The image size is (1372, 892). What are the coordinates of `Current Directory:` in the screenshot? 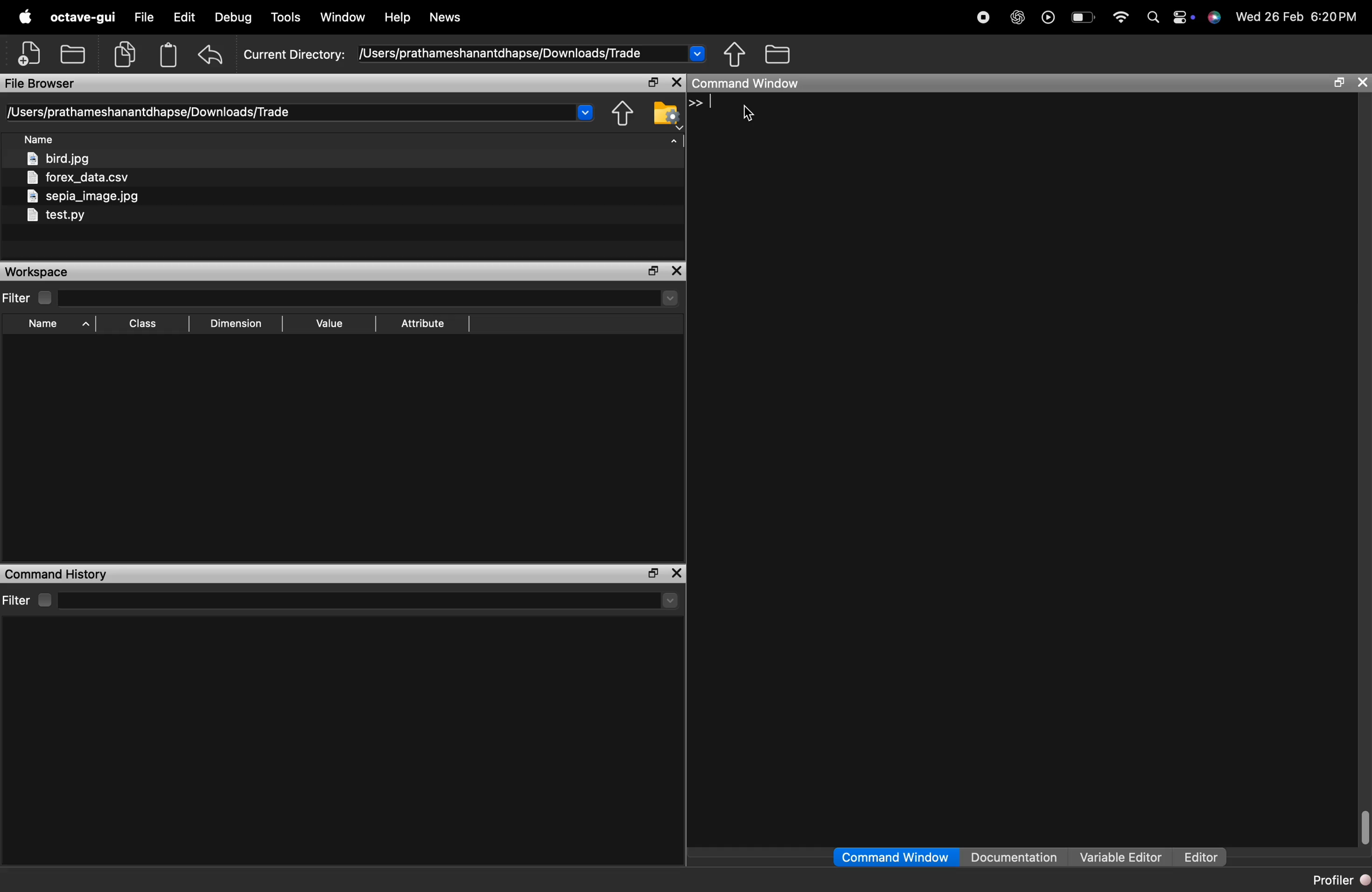 It's located at (293, 55).